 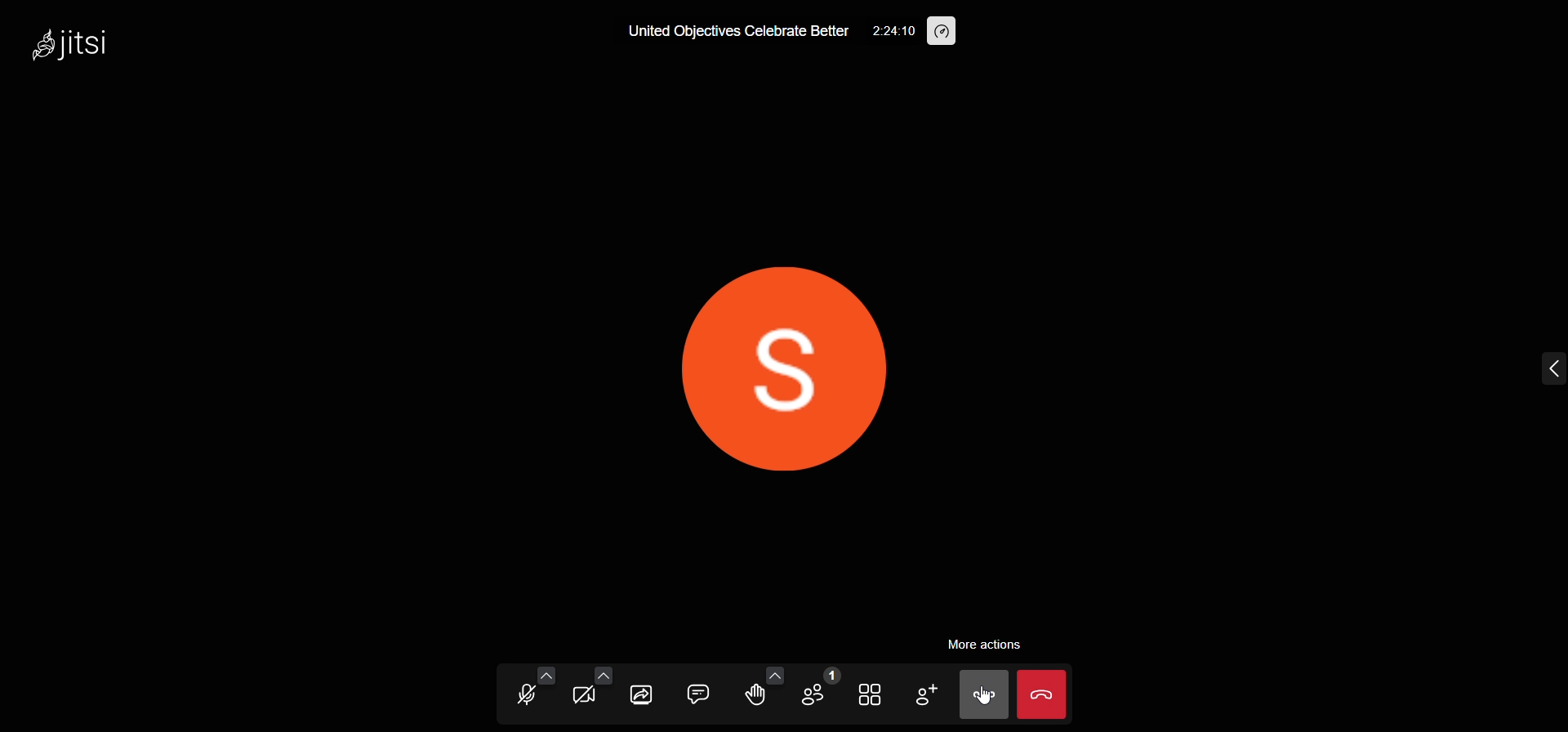 I want to click on United Objectives Celebrate Better, so click(x=736, y=32).